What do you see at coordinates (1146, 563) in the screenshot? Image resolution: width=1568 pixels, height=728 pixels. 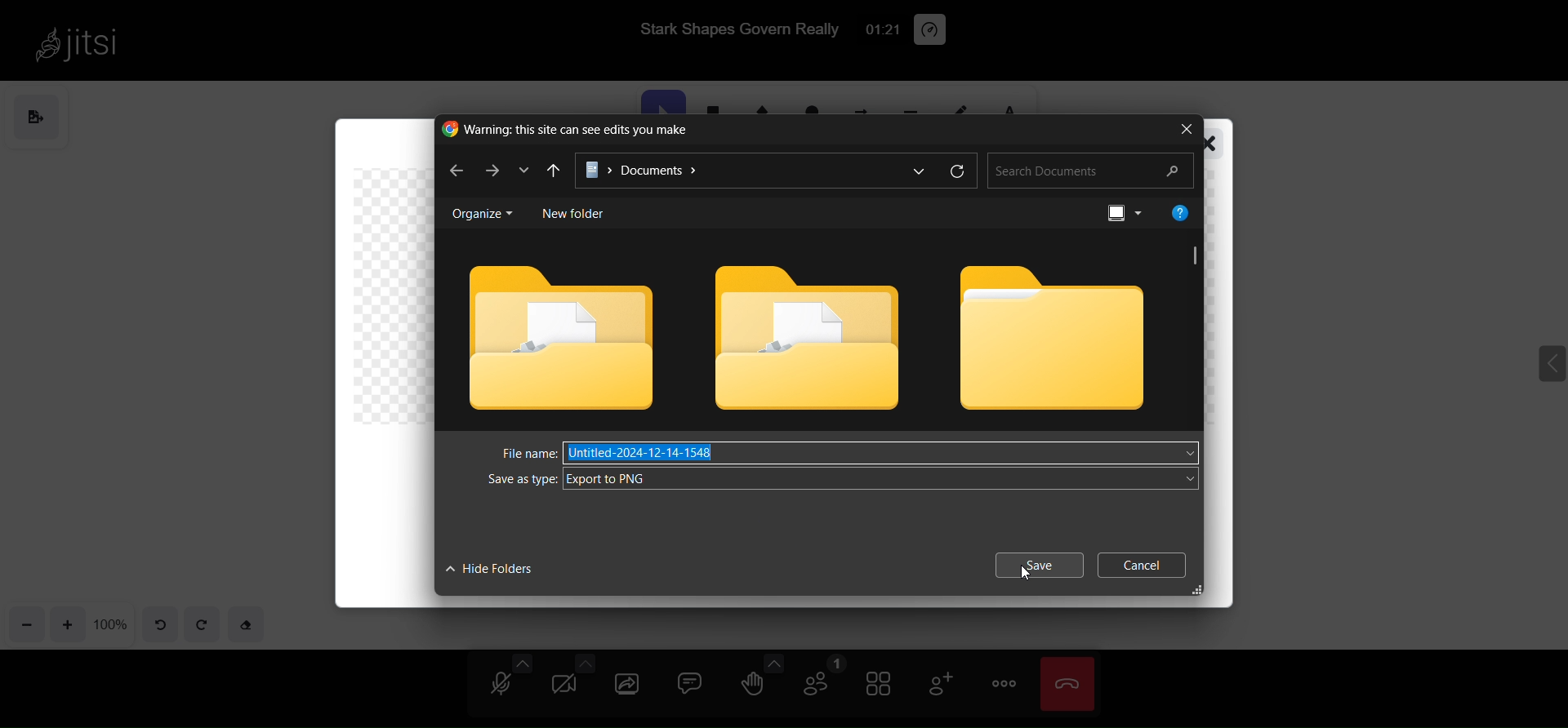 I see `cancel` at bounding box center [1146, 563].